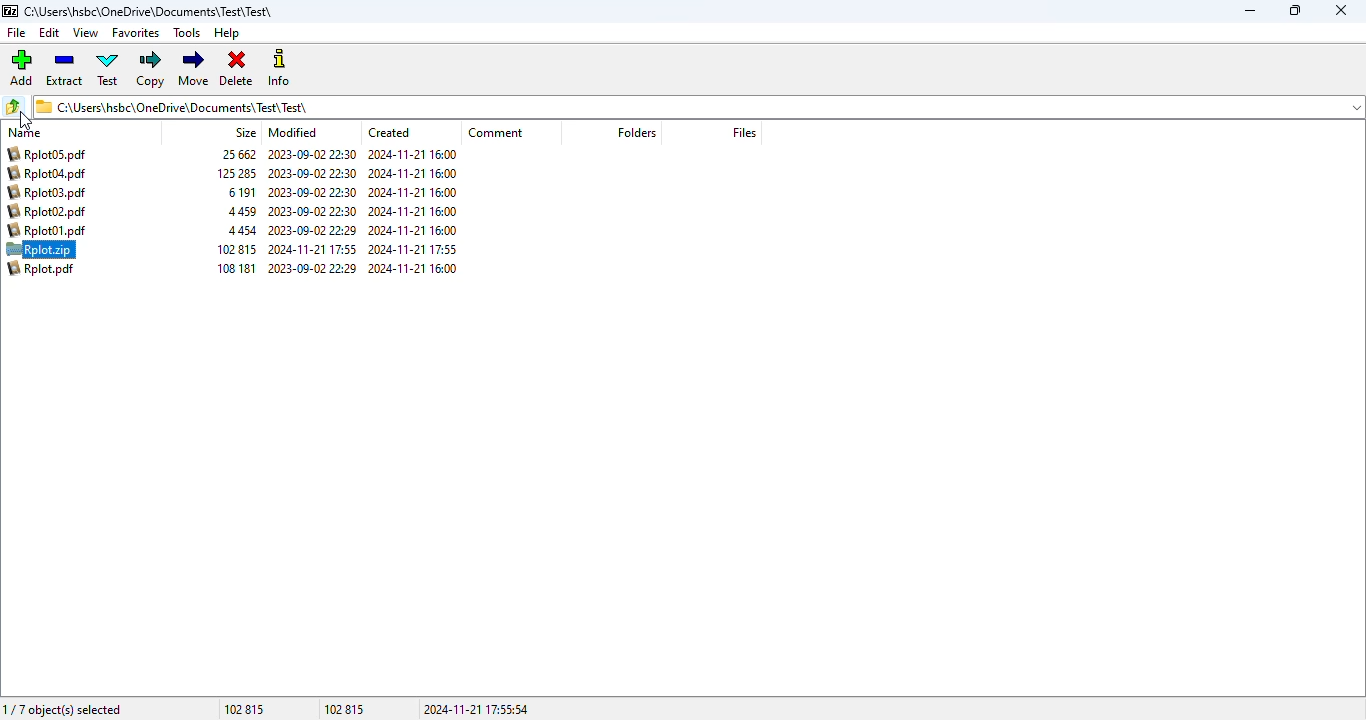 The width and height of the screenshot is (1366, 720). What do you see at coordinates (1340, 10) in the screenshot?
I see `close` at bounding box center [1340, 10].